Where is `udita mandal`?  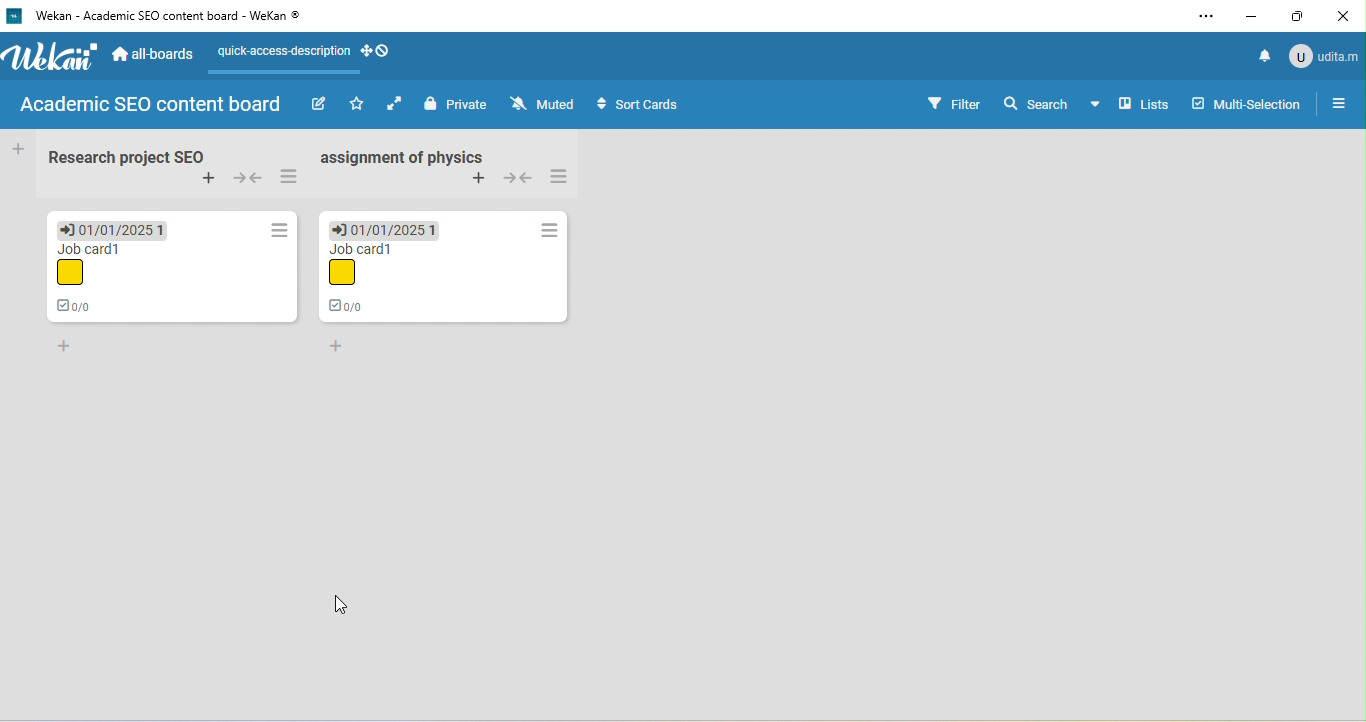
udita mandal is located at coordinates (1326, 56).